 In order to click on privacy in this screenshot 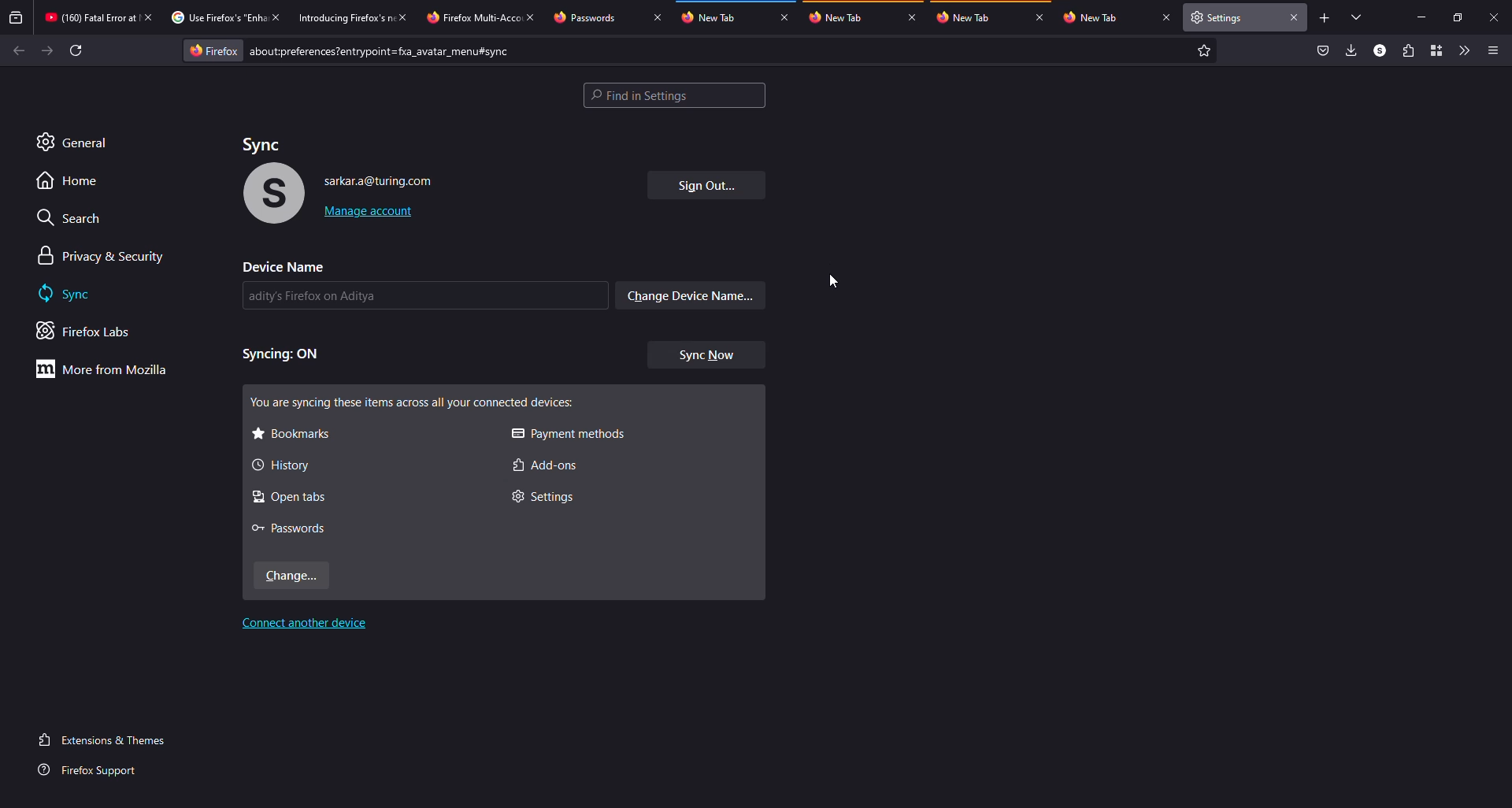, I will do `click(109, 254)`.